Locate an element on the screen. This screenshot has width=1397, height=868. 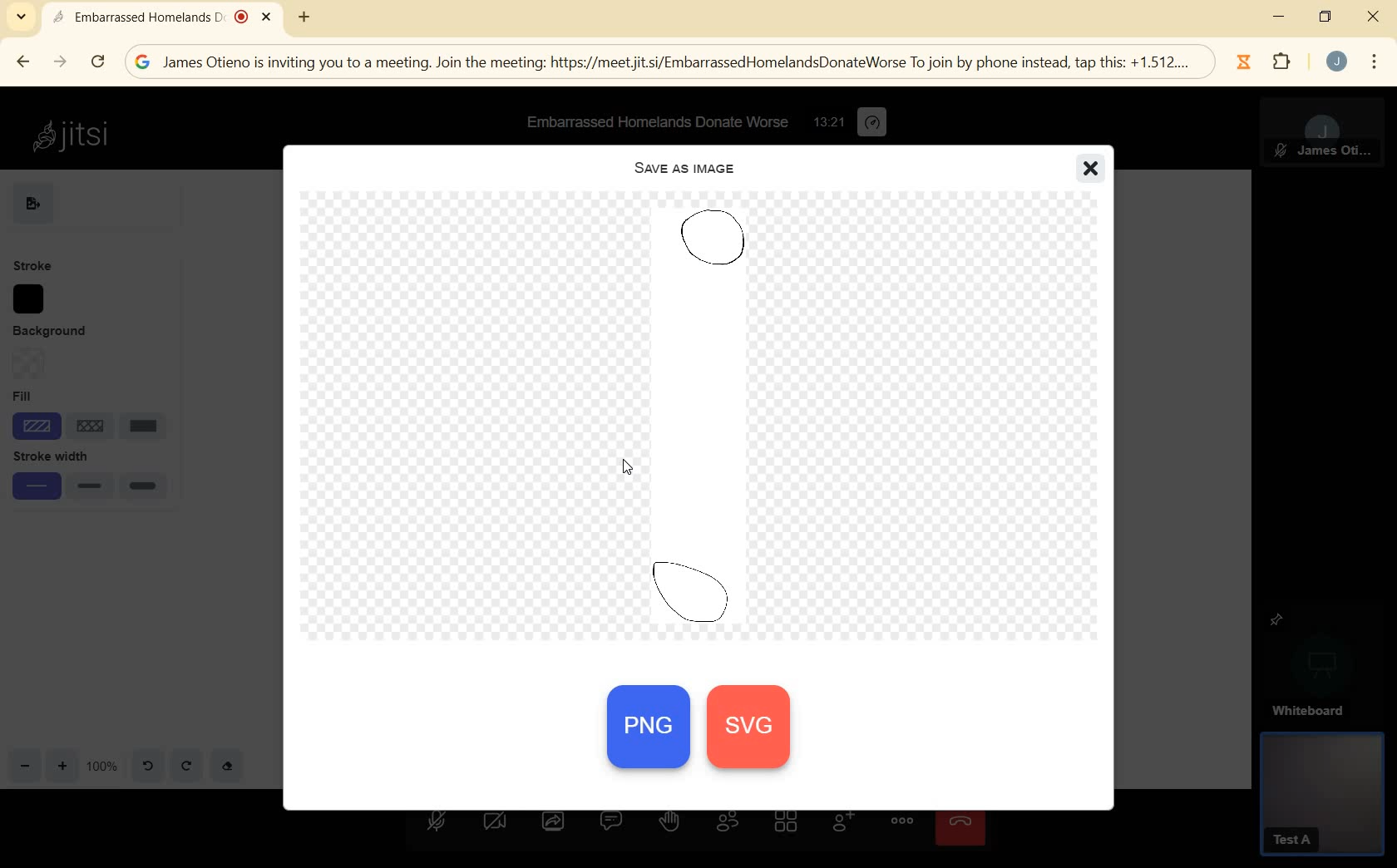
STROKE is located at coordinates (32, 266).